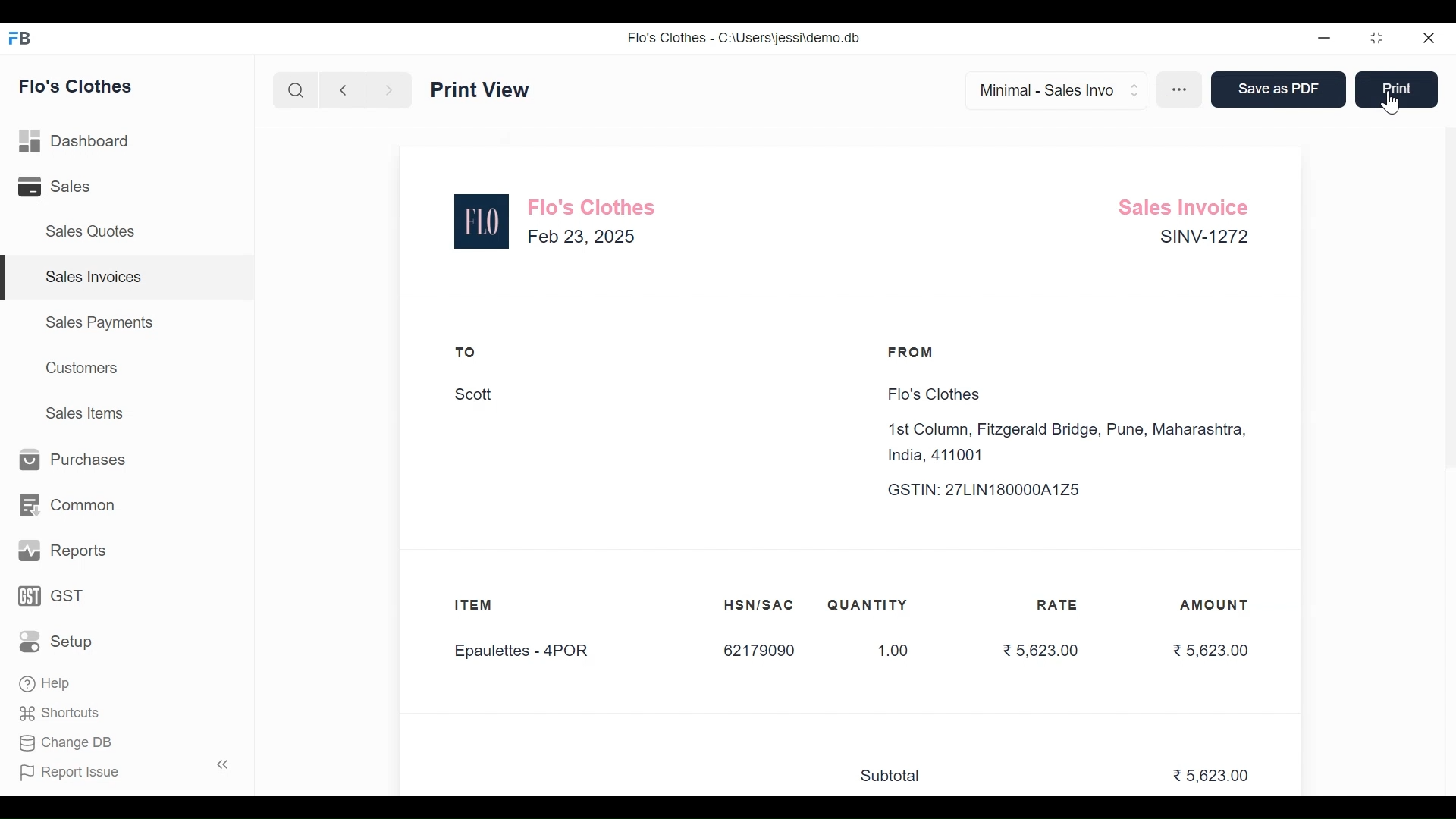  What do you see at coordinates (64, 713) in the screenshot?
I see `' Shortcuts` at bounding box center [64, 713].